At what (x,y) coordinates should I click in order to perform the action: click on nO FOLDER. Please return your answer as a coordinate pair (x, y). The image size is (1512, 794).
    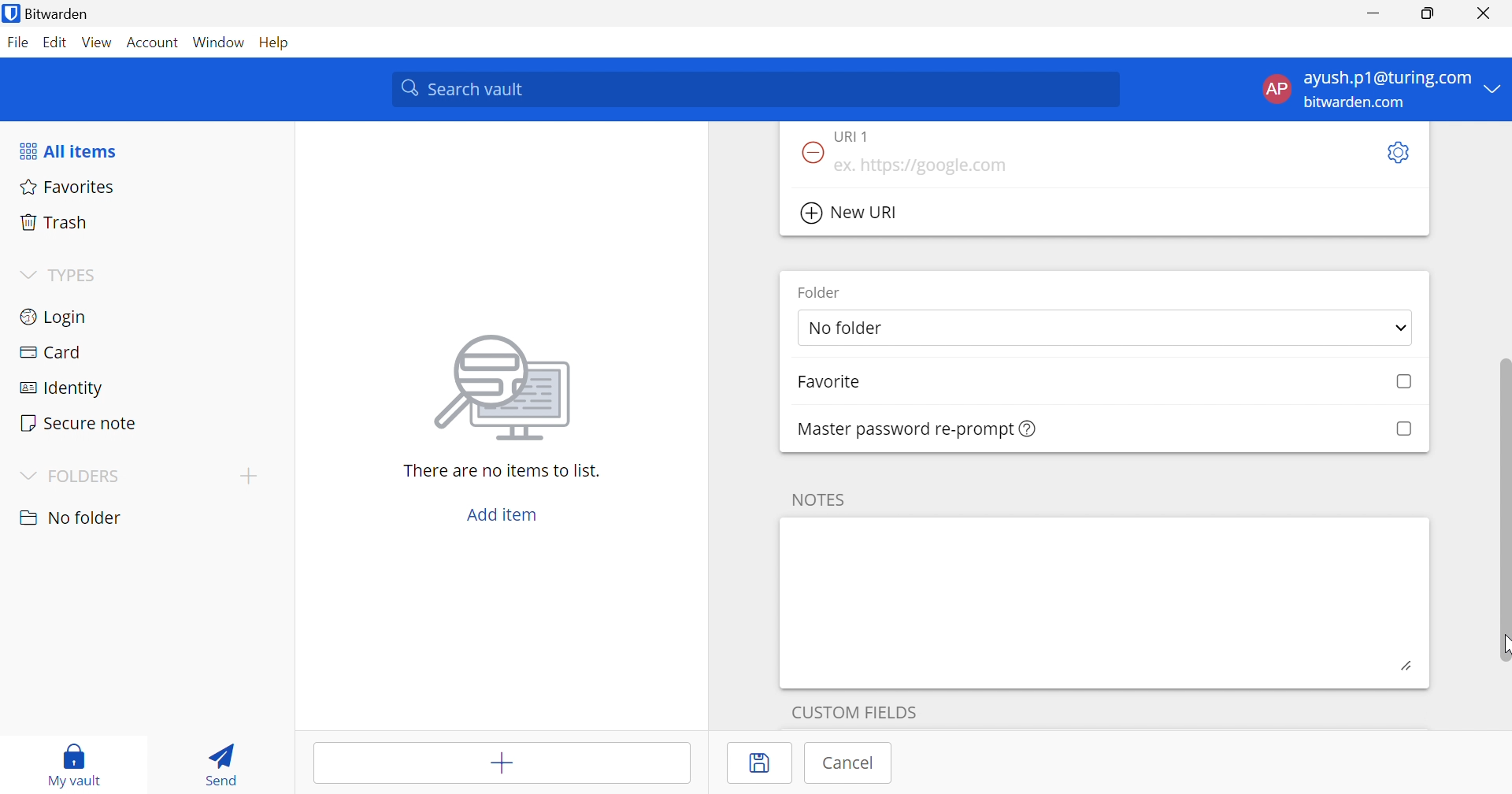
    Looking at the image, I should click on (70, 518).